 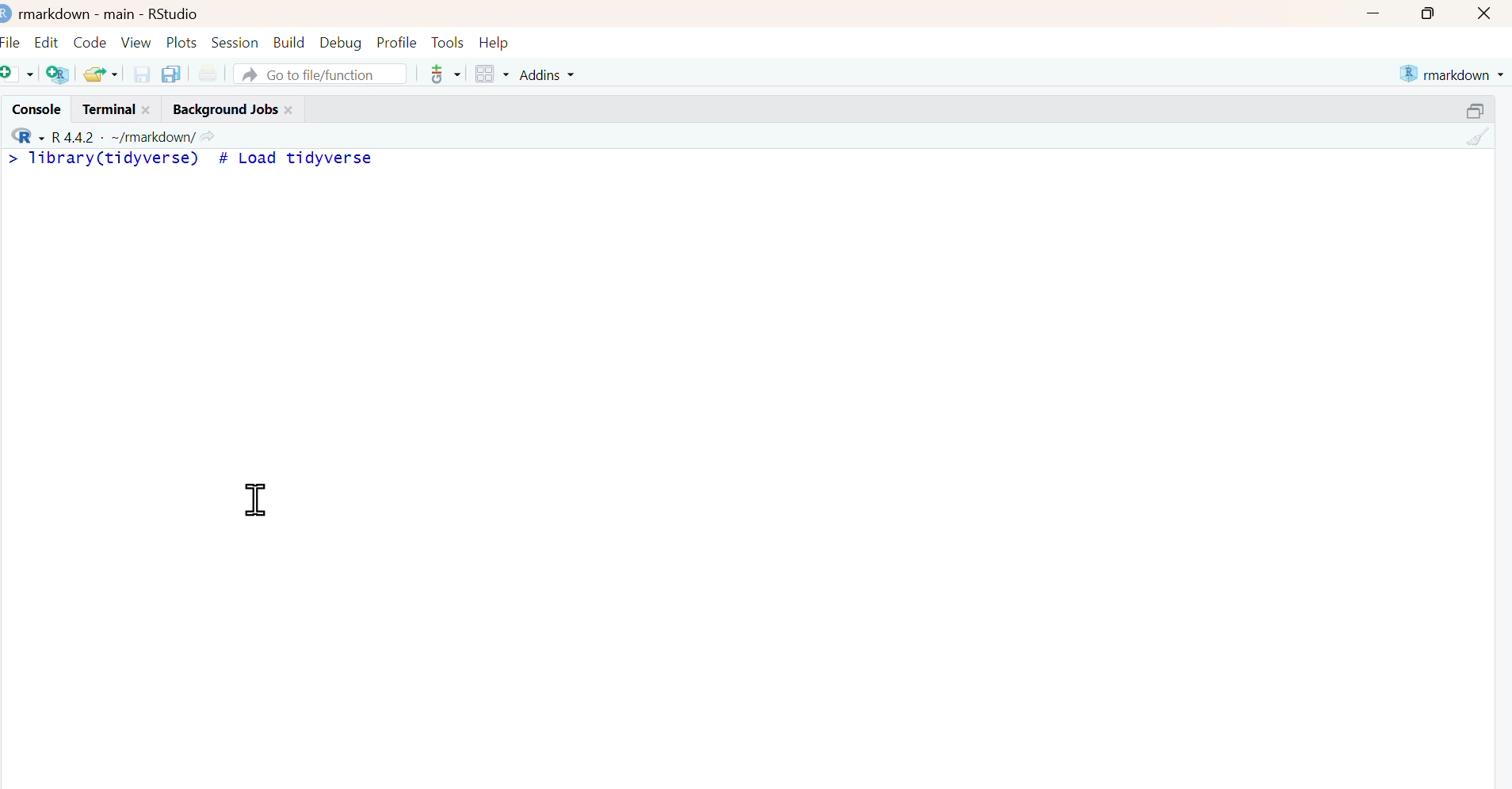 What do you see at coordinates (499, 41) in the screenshot?
I see `Help` at bounding box center [499, 41].